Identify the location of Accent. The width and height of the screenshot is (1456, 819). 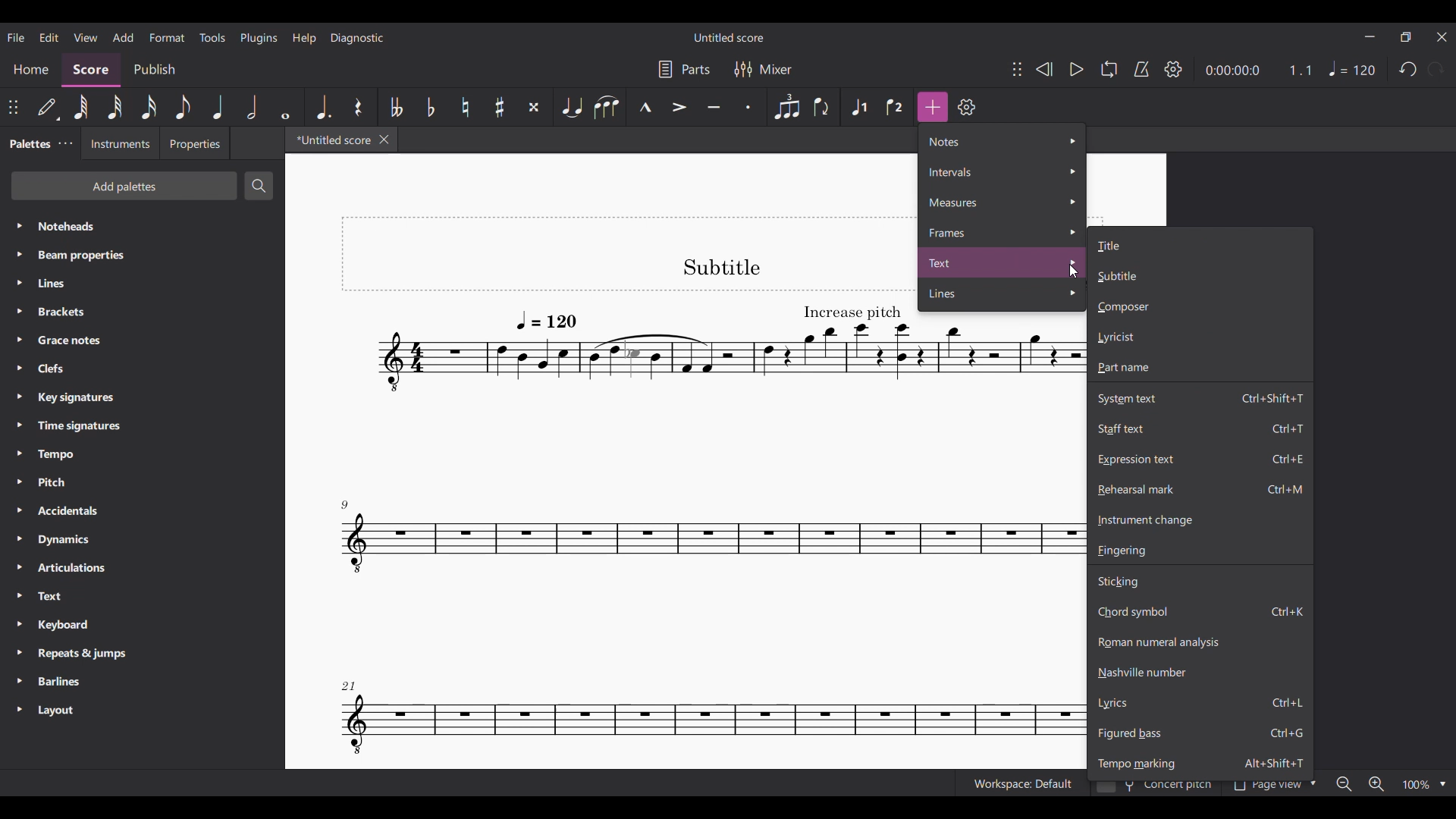
(679, 107).